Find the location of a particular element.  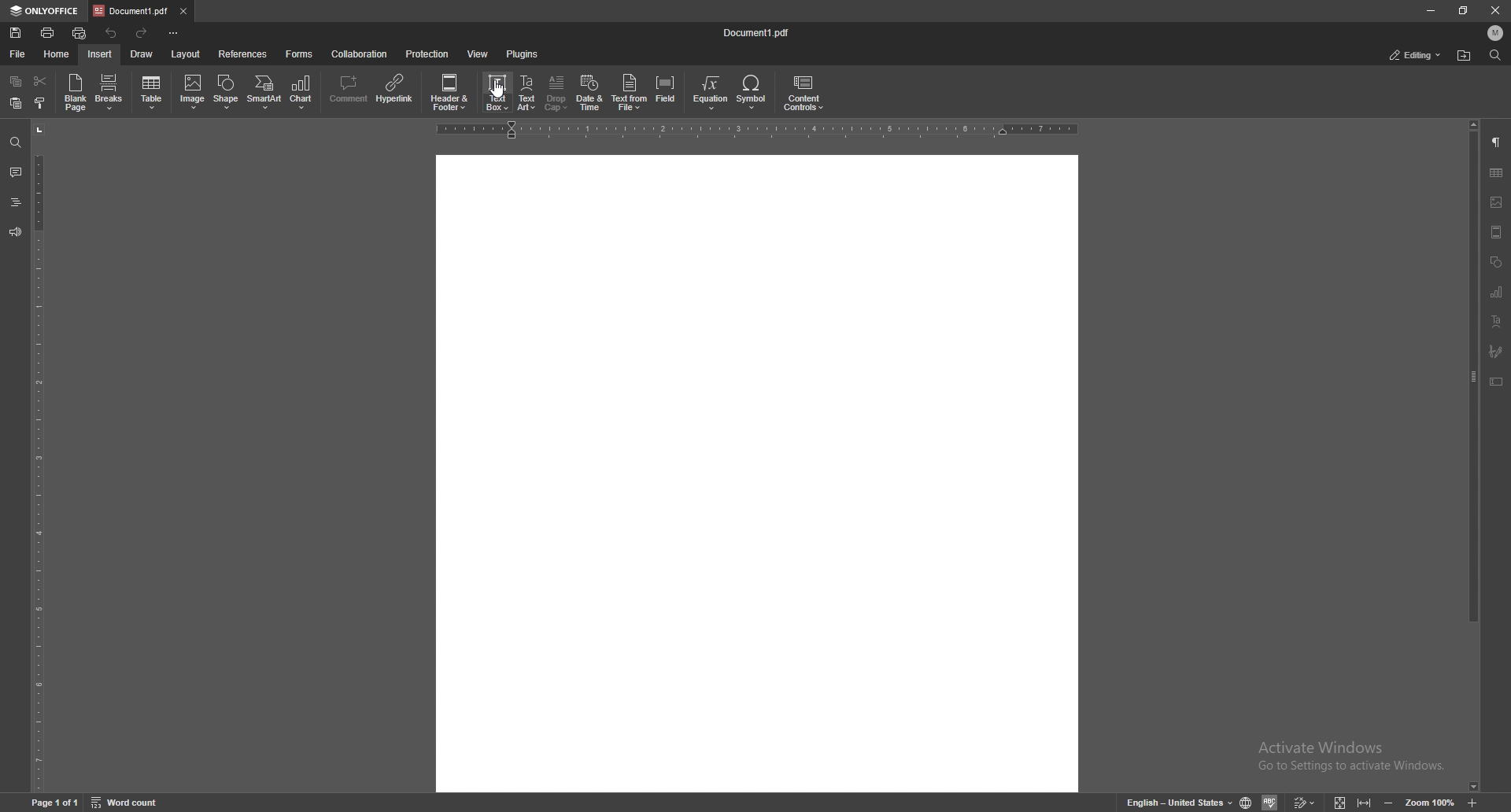

feedback is located at coordinates (15, 231).